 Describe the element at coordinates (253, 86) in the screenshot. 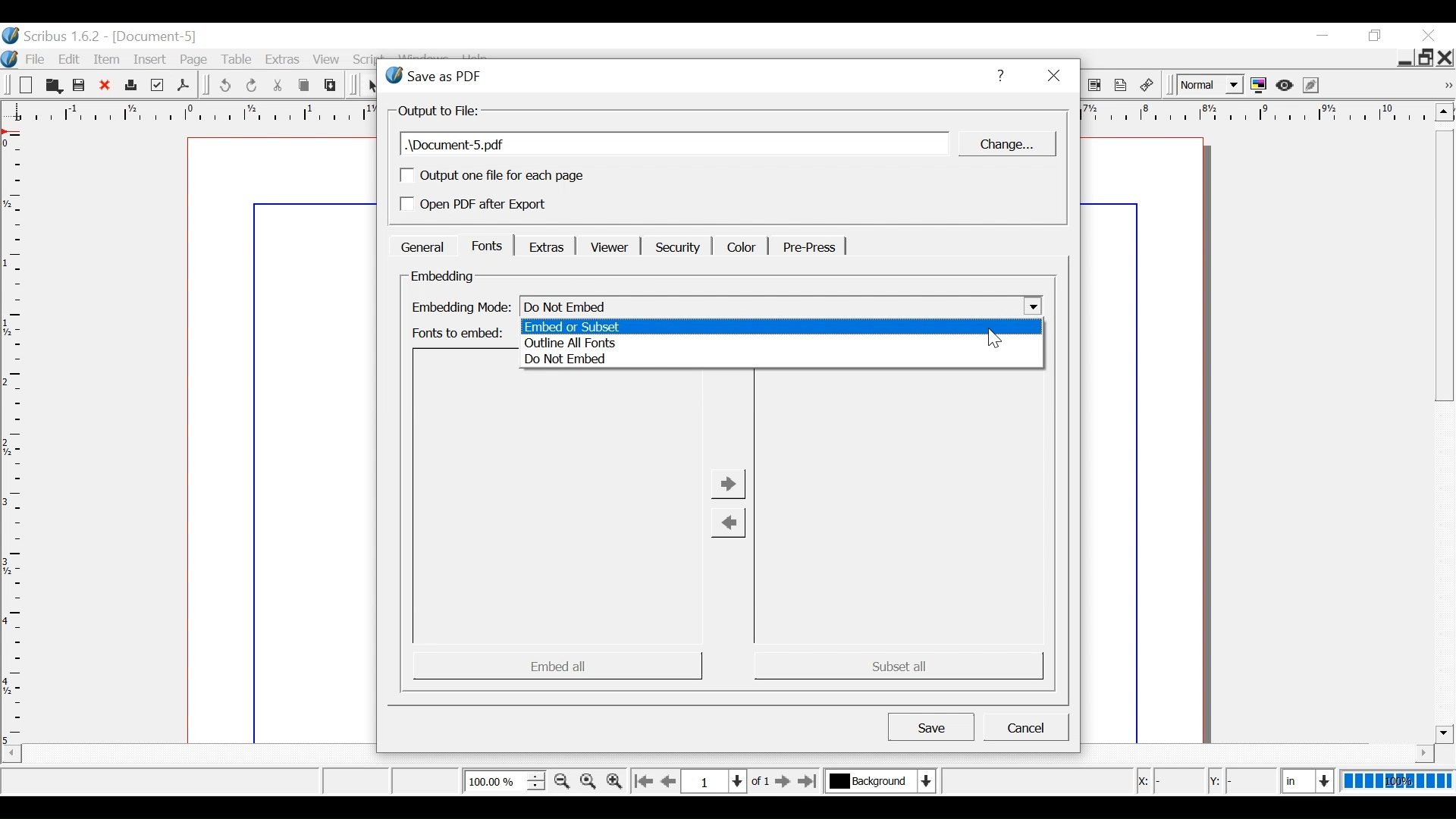

I see `Redo` at that location.